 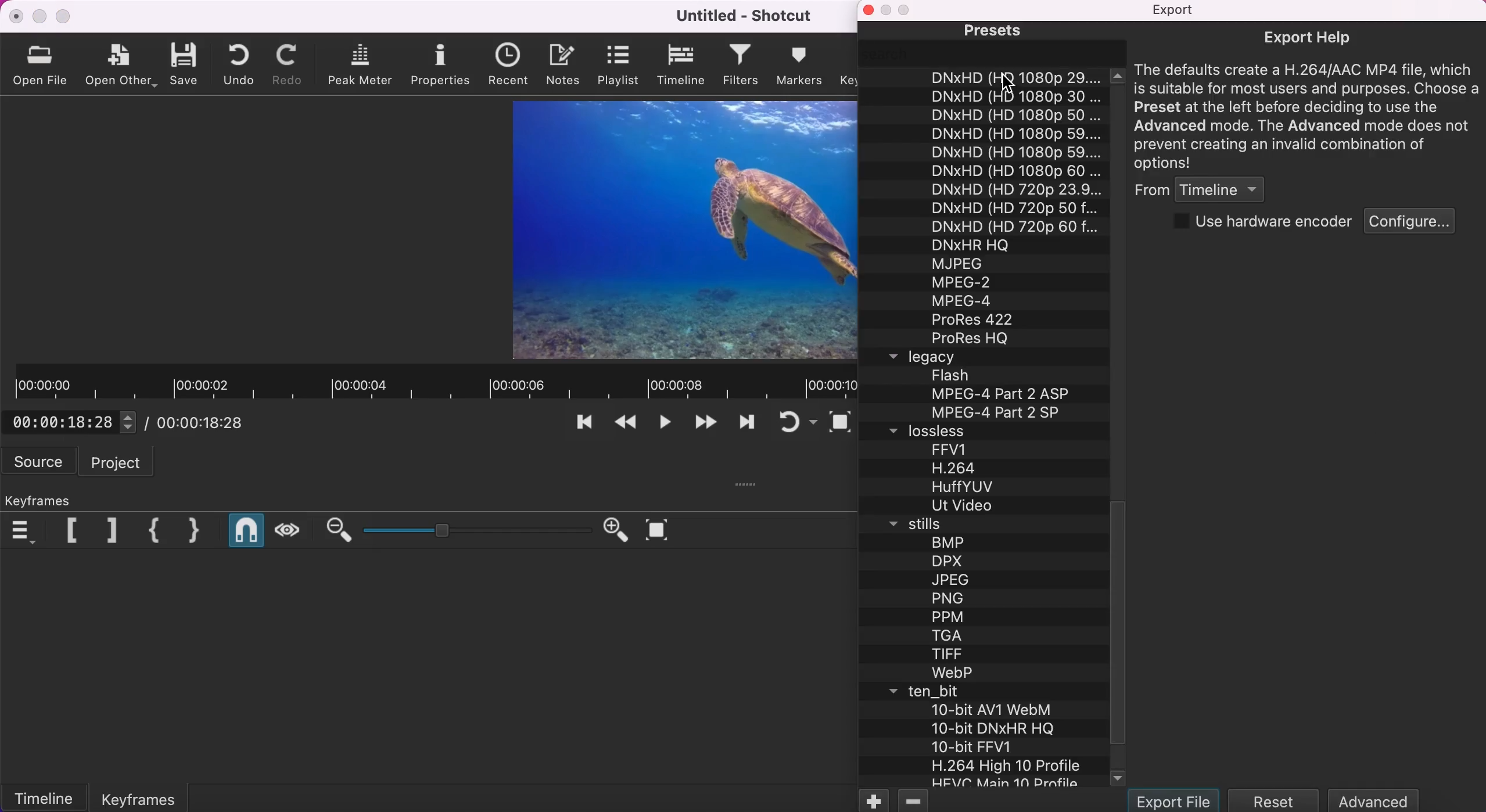 I want to click on save, so click(x=184, y=62).